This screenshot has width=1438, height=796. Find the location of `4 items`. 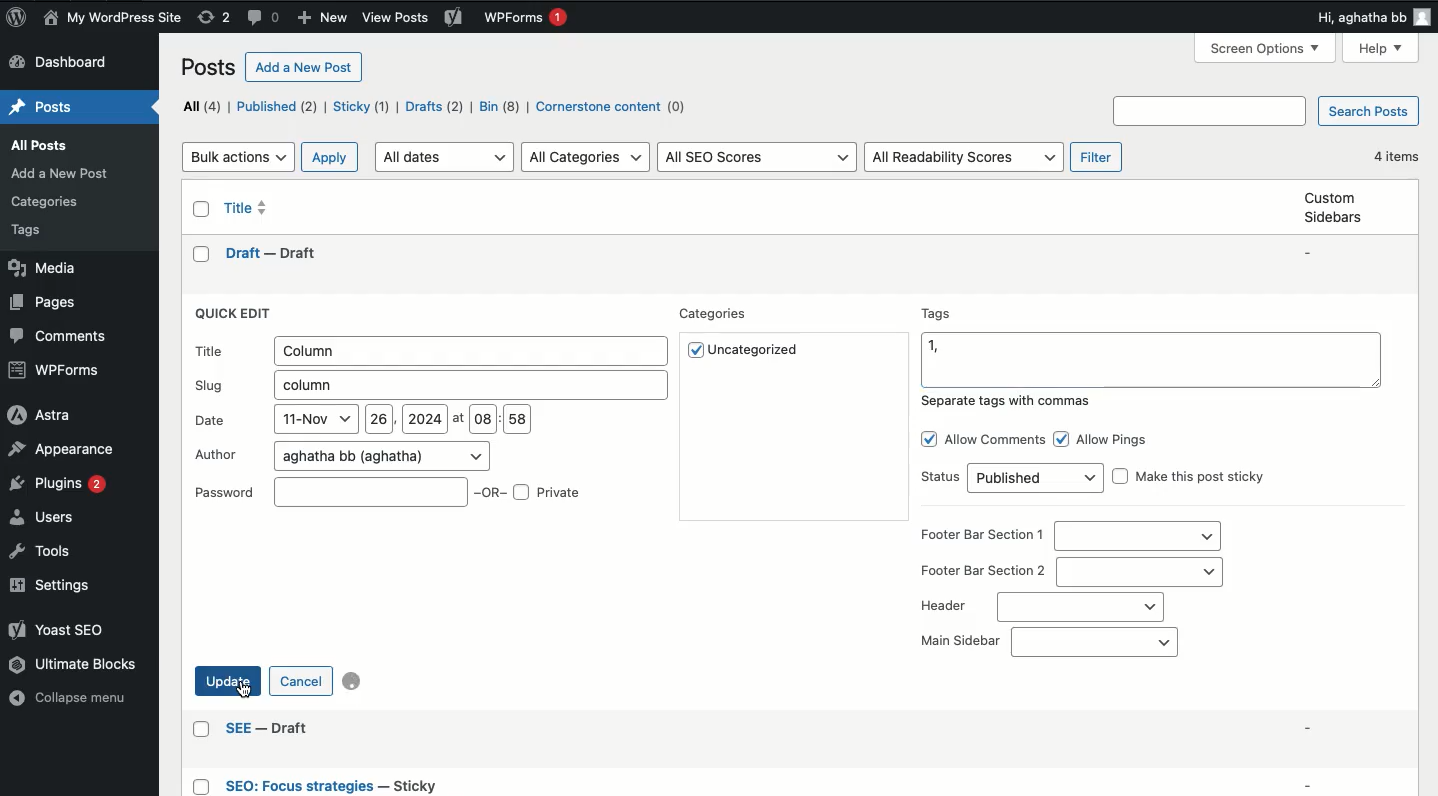

4 items is located at coordinates (1395, 158).